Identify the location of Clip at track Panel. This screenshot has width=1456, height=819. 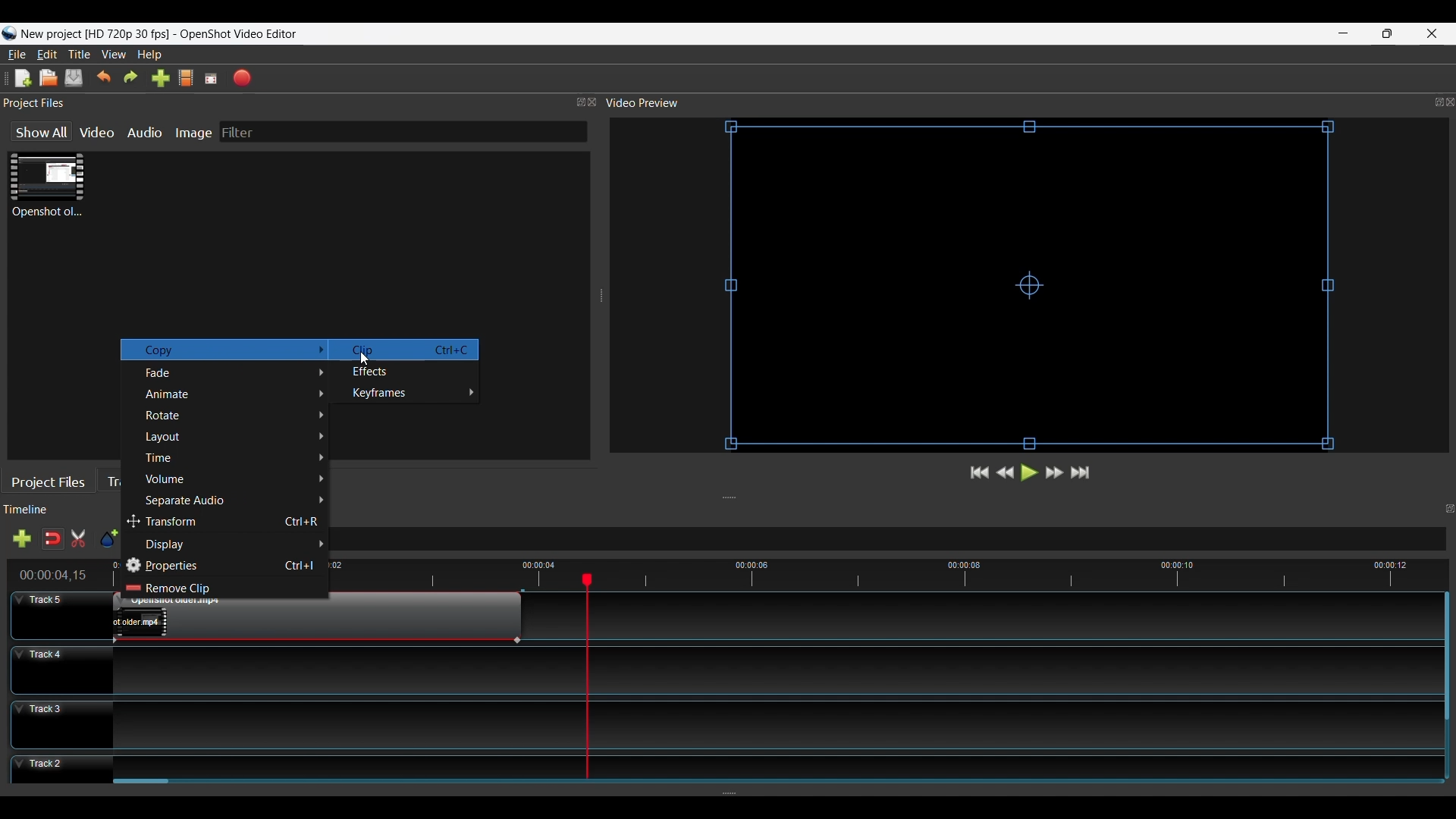
(315, 623).